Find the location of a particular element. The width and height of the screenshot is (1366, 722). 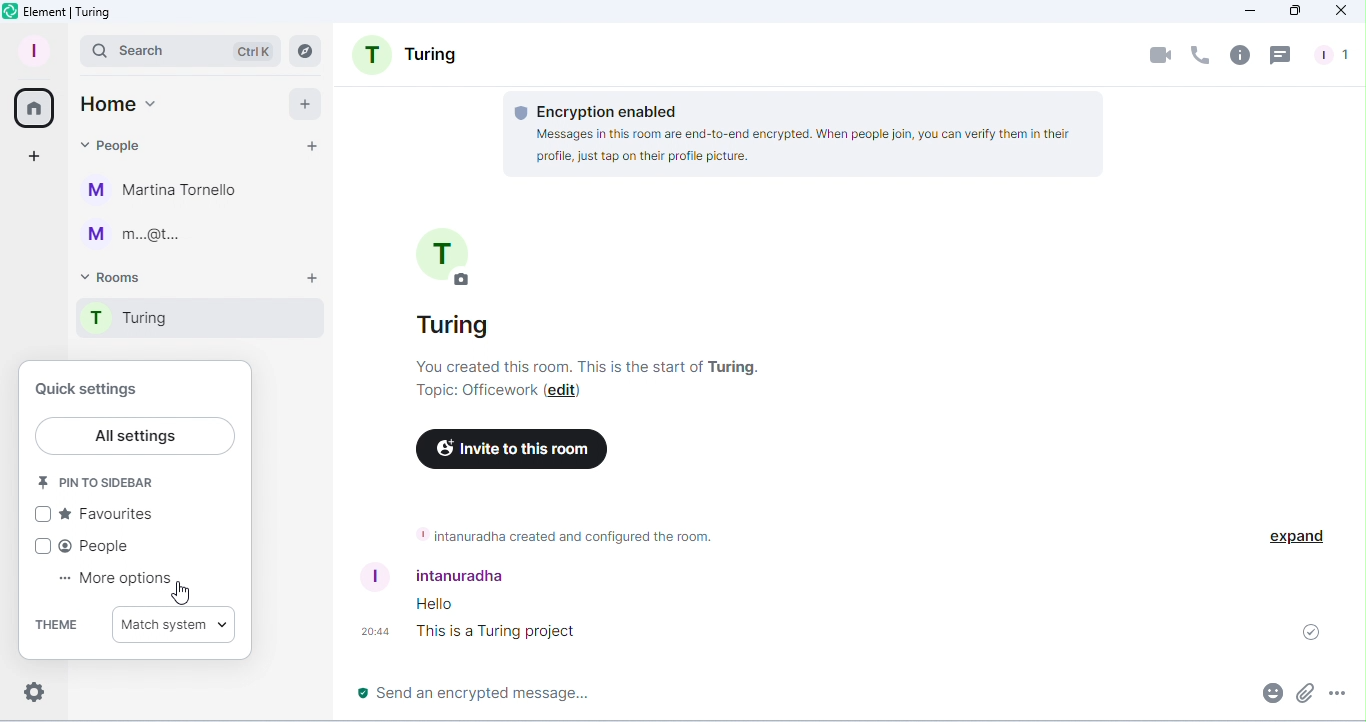

Add is located at coordinates (307, 103).